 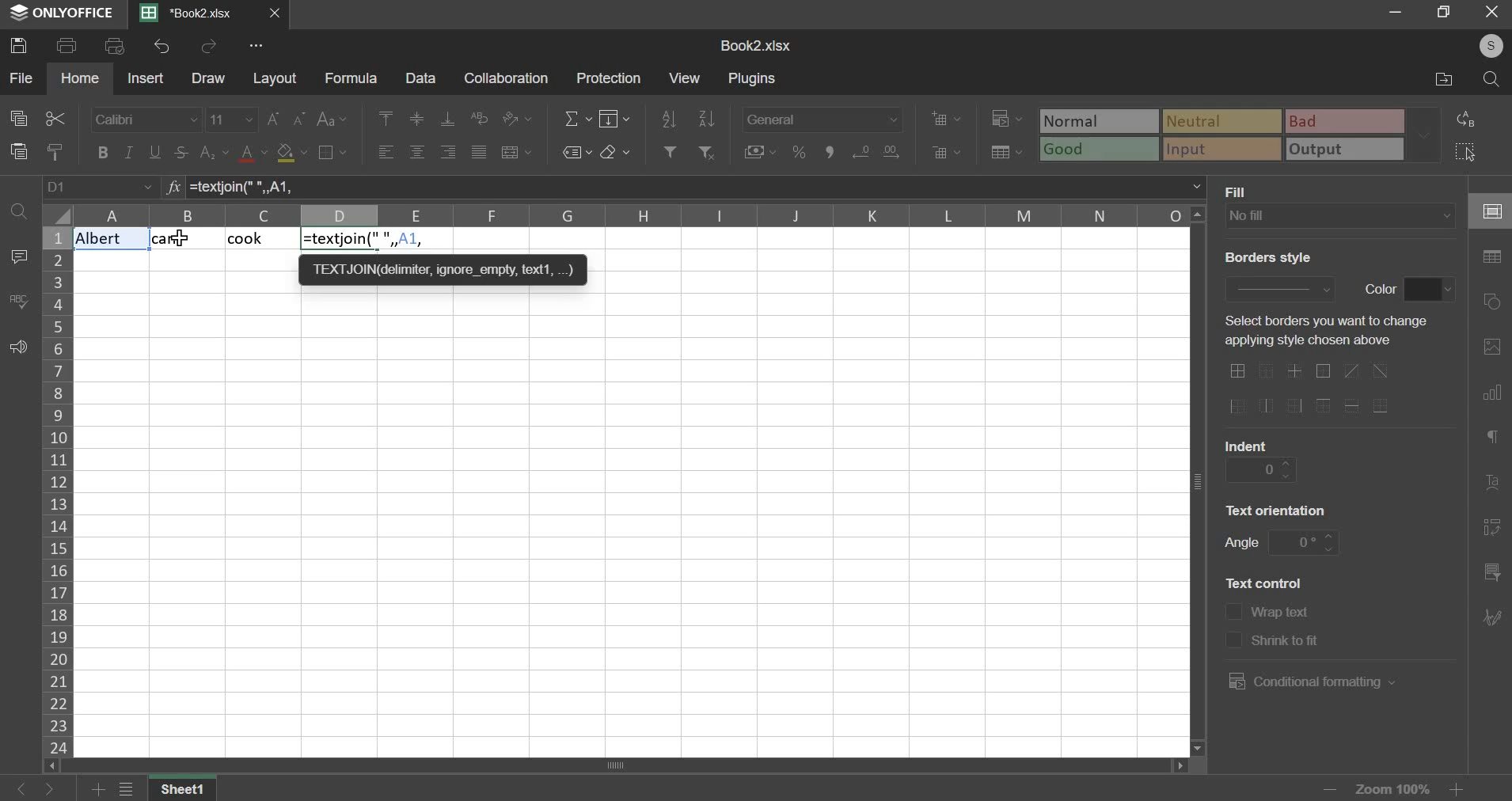 What do you see at coordinates (258, 46) in the screenshot?
I see `view more` at bounding box center [258, 46].